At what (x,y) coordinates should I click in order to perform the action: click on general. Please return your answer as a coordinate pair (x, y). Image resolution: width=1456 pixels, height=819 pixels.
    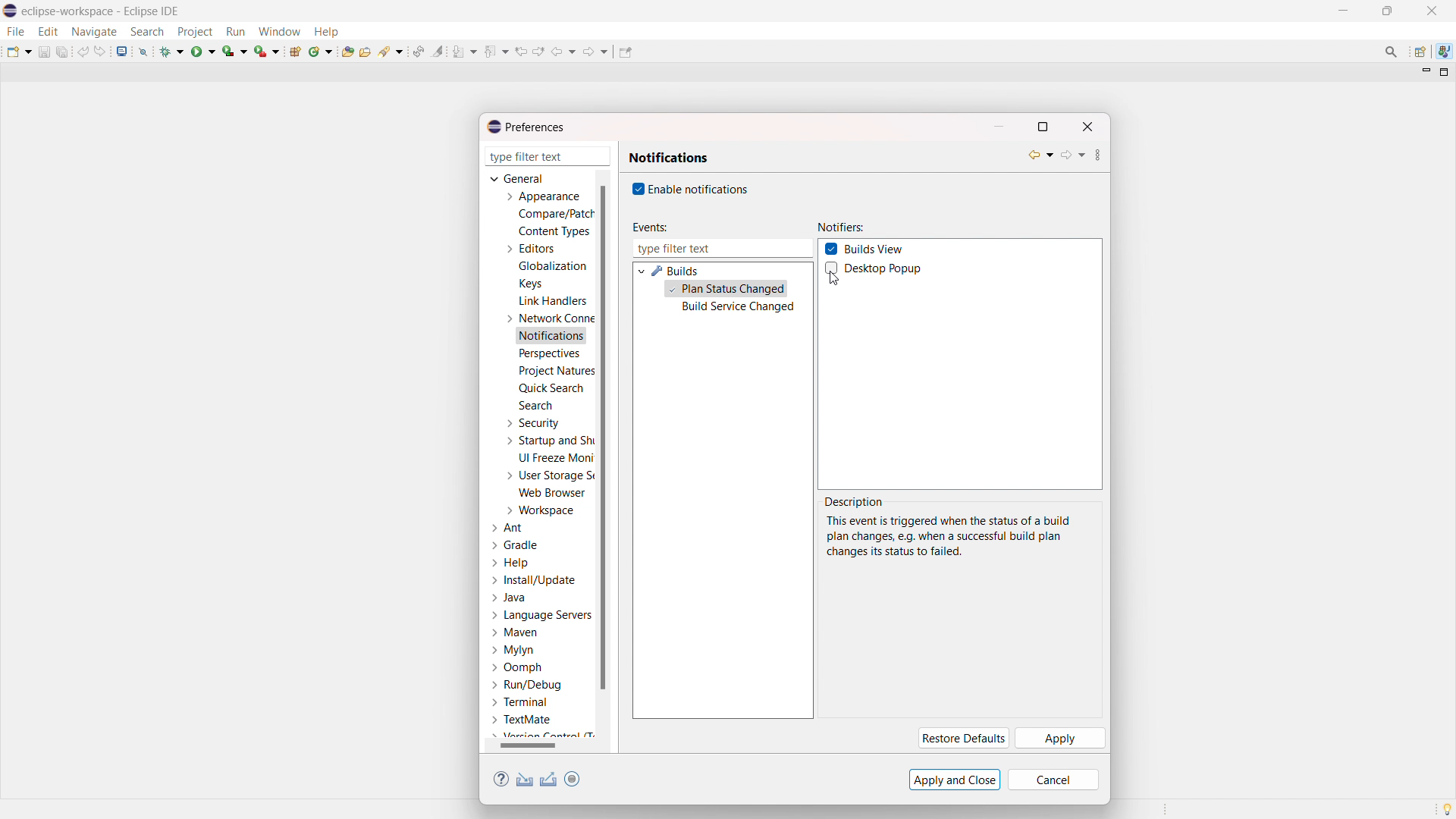
    Looking at the image, I should click on (519, 178).